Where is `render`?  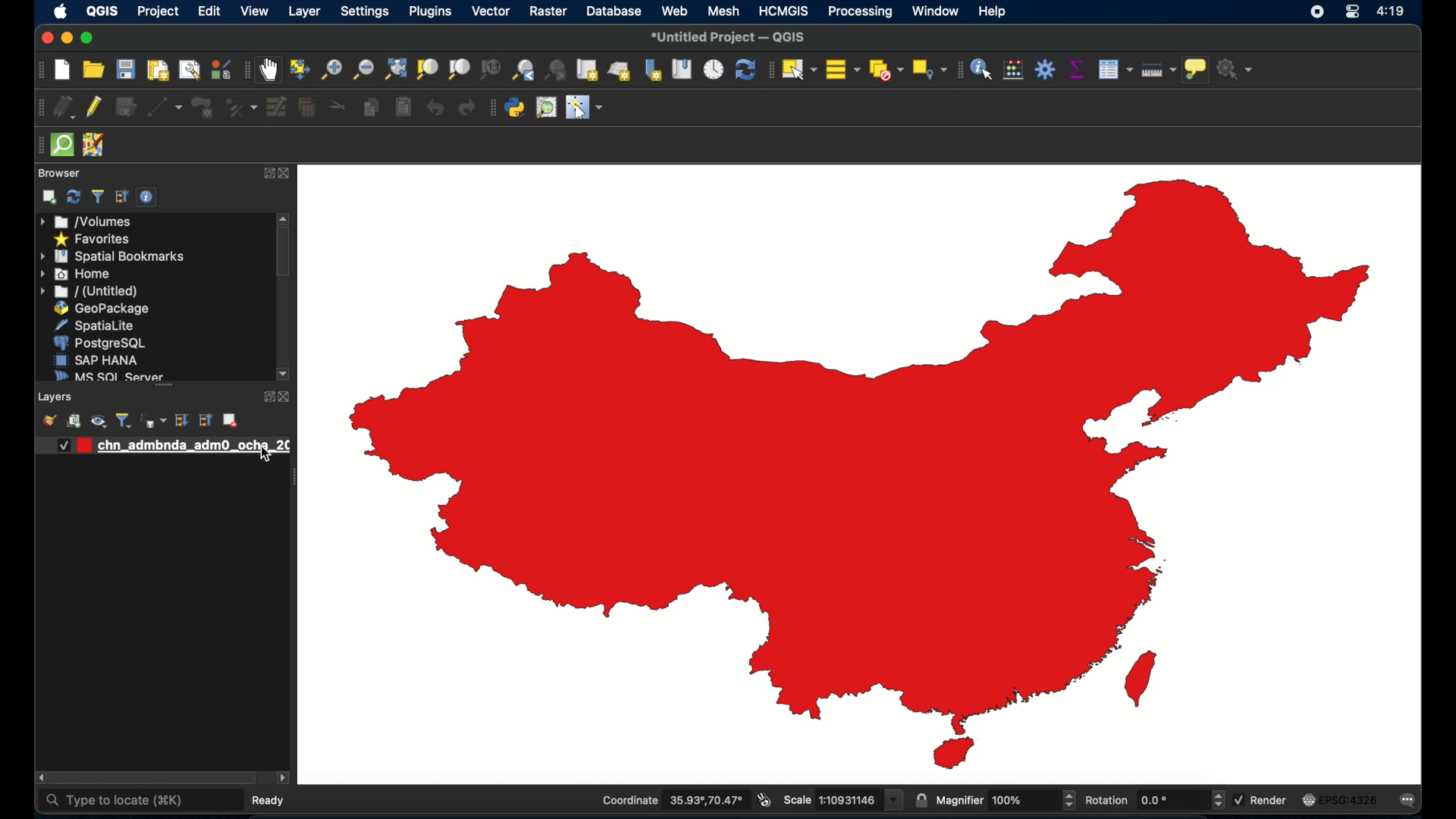 render is located at coordinates (1260, 799).